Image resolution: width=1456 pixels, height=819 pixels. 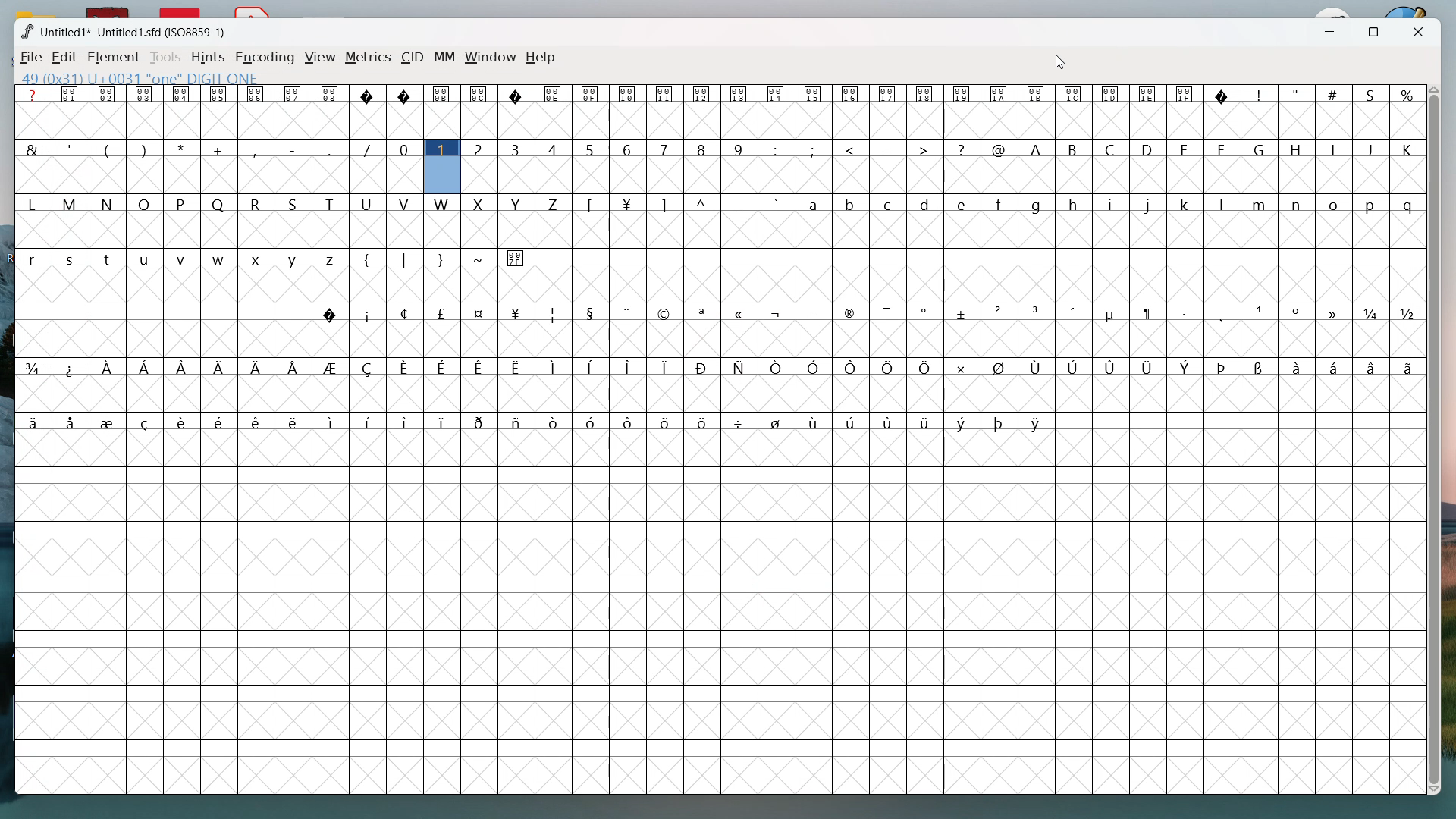 I want to click on symbol, so click(x=627, y=94).